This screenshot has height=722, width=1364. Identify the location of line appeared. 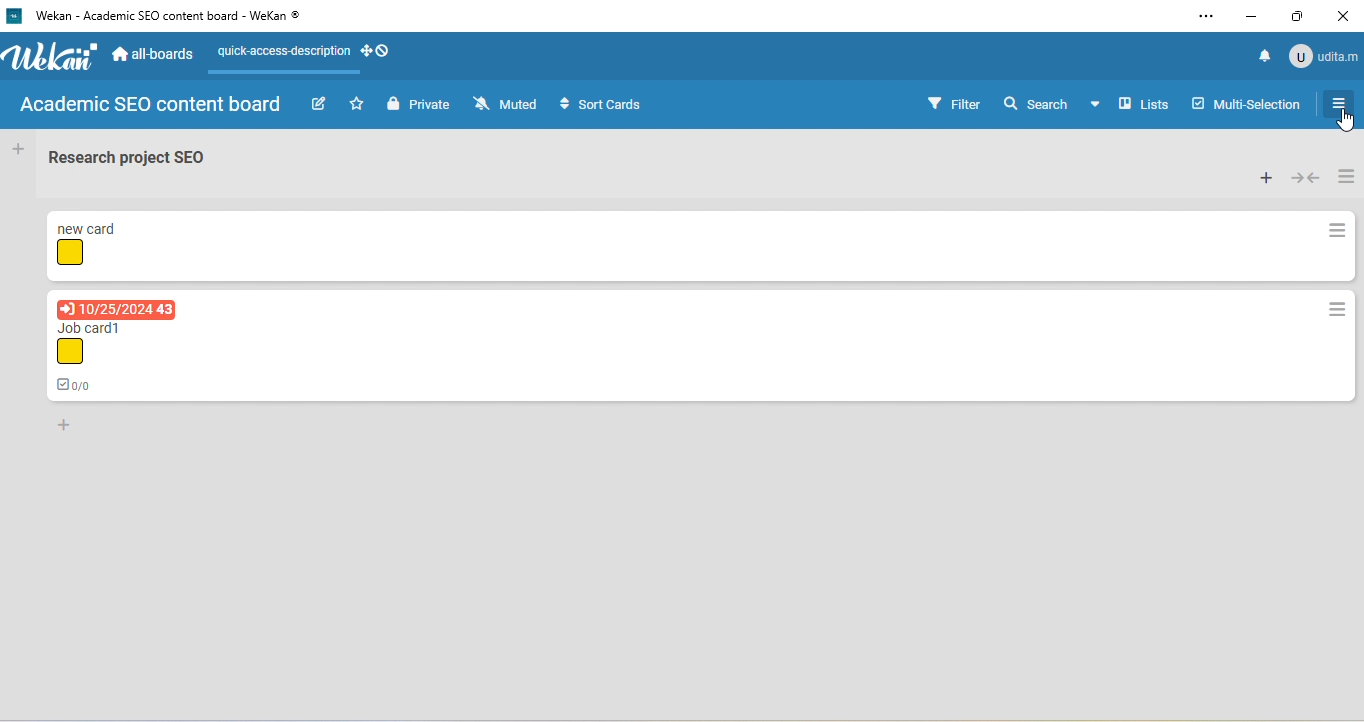
(293, 73).